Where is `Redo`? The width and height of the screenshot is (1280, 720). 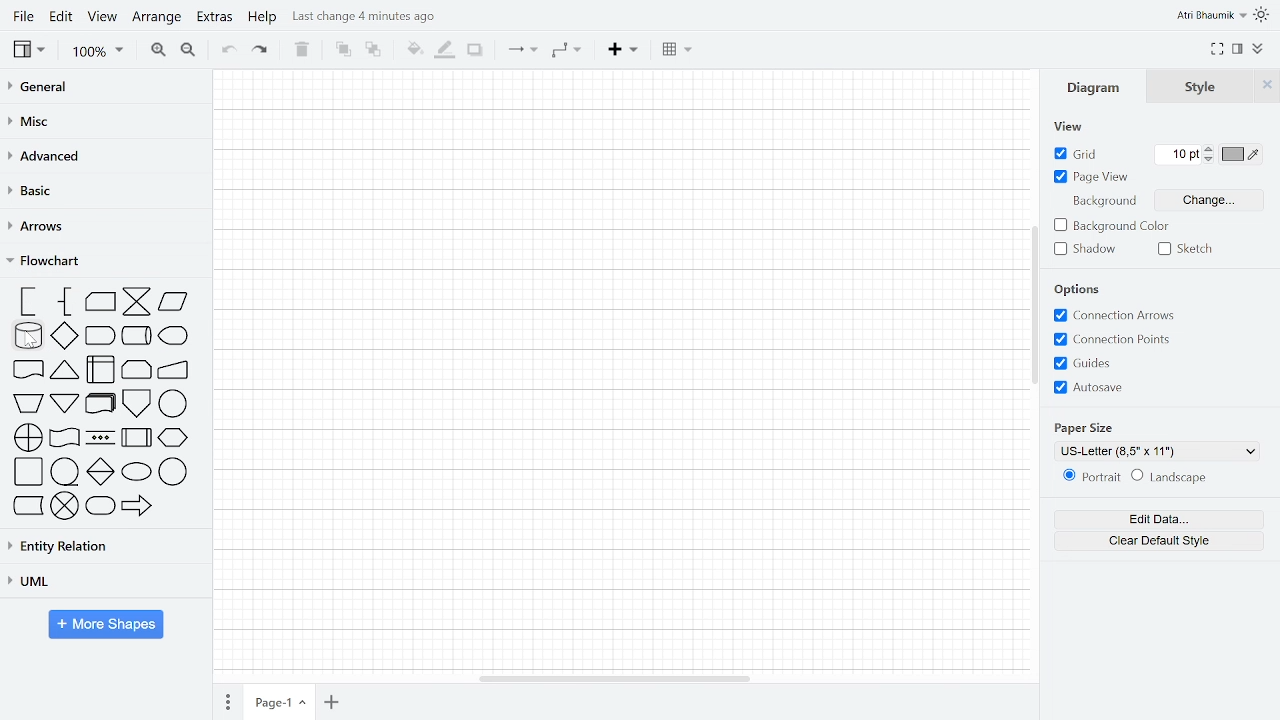
Redo is located at coordinates (266, 52).